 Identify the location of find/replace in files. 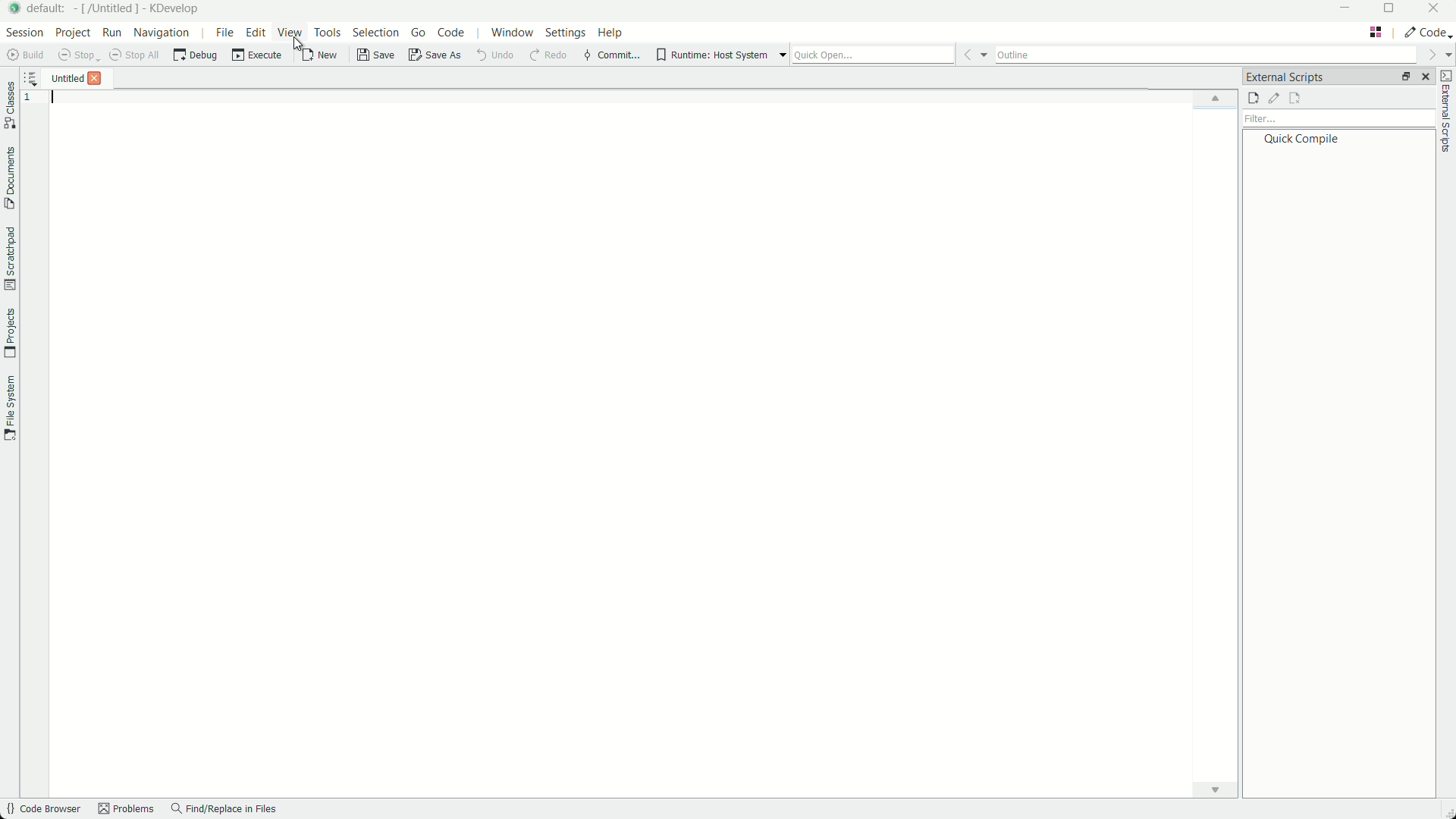
(225, 811).